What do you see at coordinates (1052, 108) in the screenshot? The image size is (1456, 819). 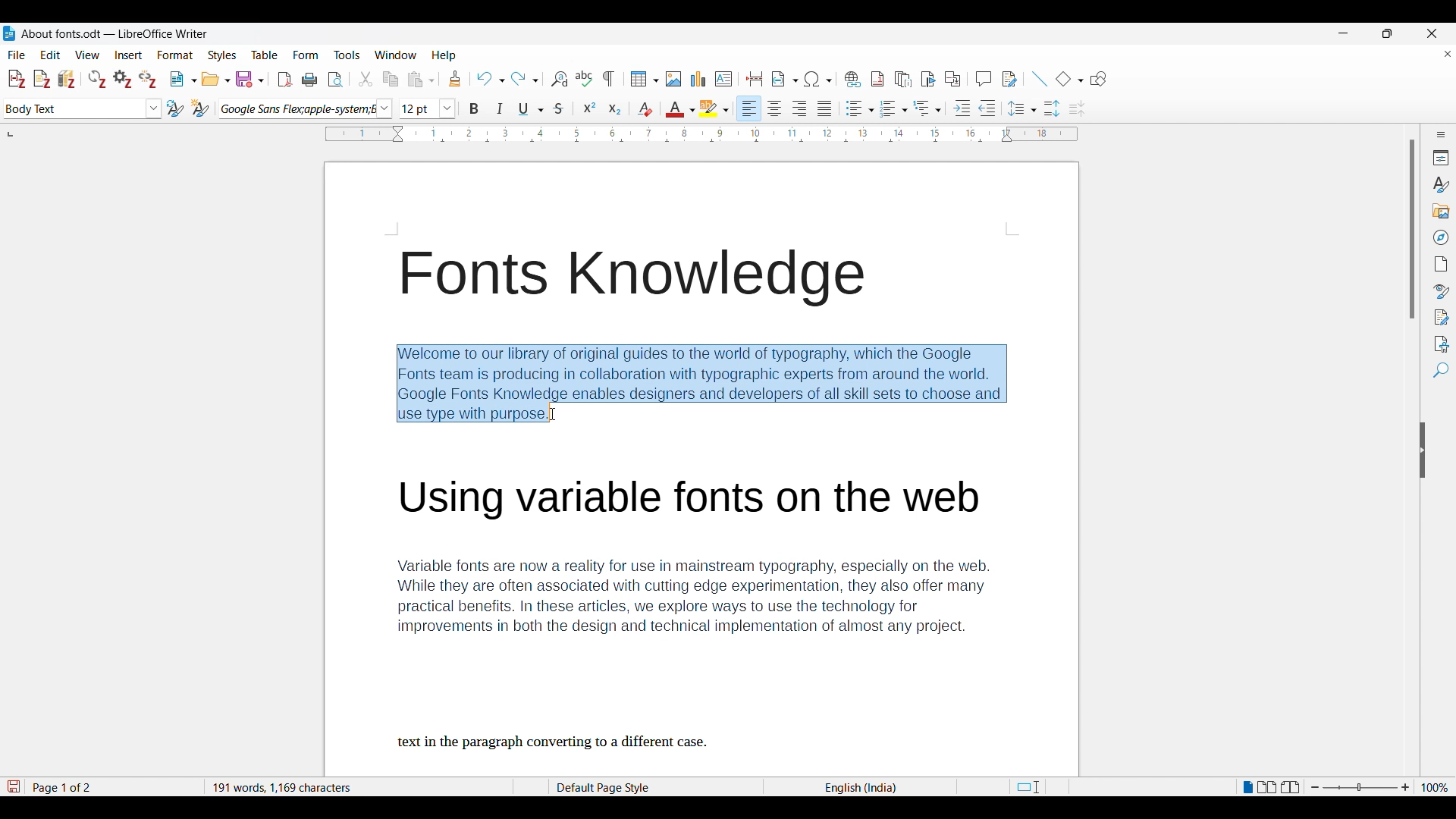 I see `Increase paragraph spacing` at bounding box center [1052, 108].